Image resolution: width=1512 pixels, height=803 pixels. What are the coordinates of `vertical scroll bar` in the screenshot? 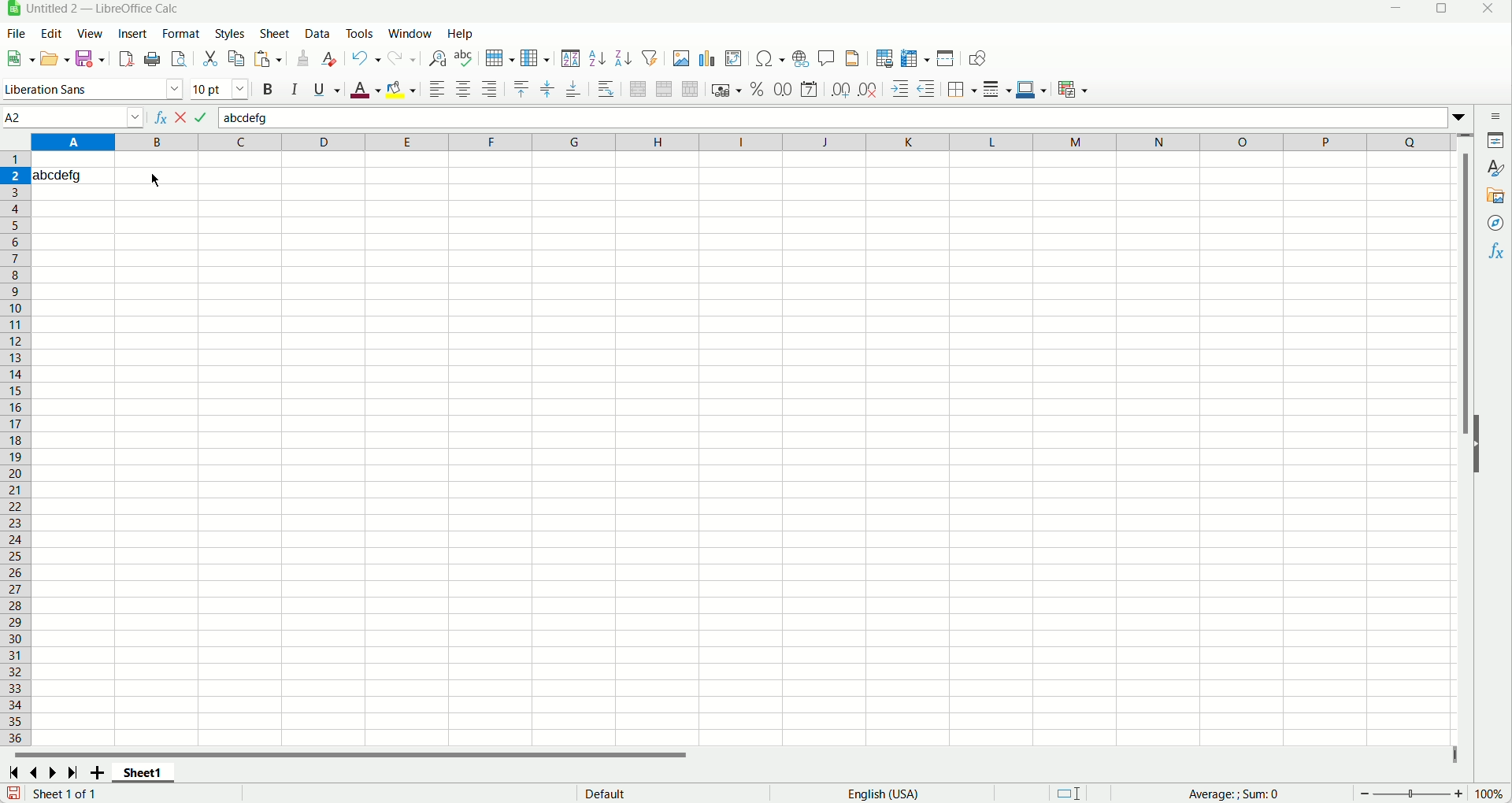 It's located at (1469, 445).